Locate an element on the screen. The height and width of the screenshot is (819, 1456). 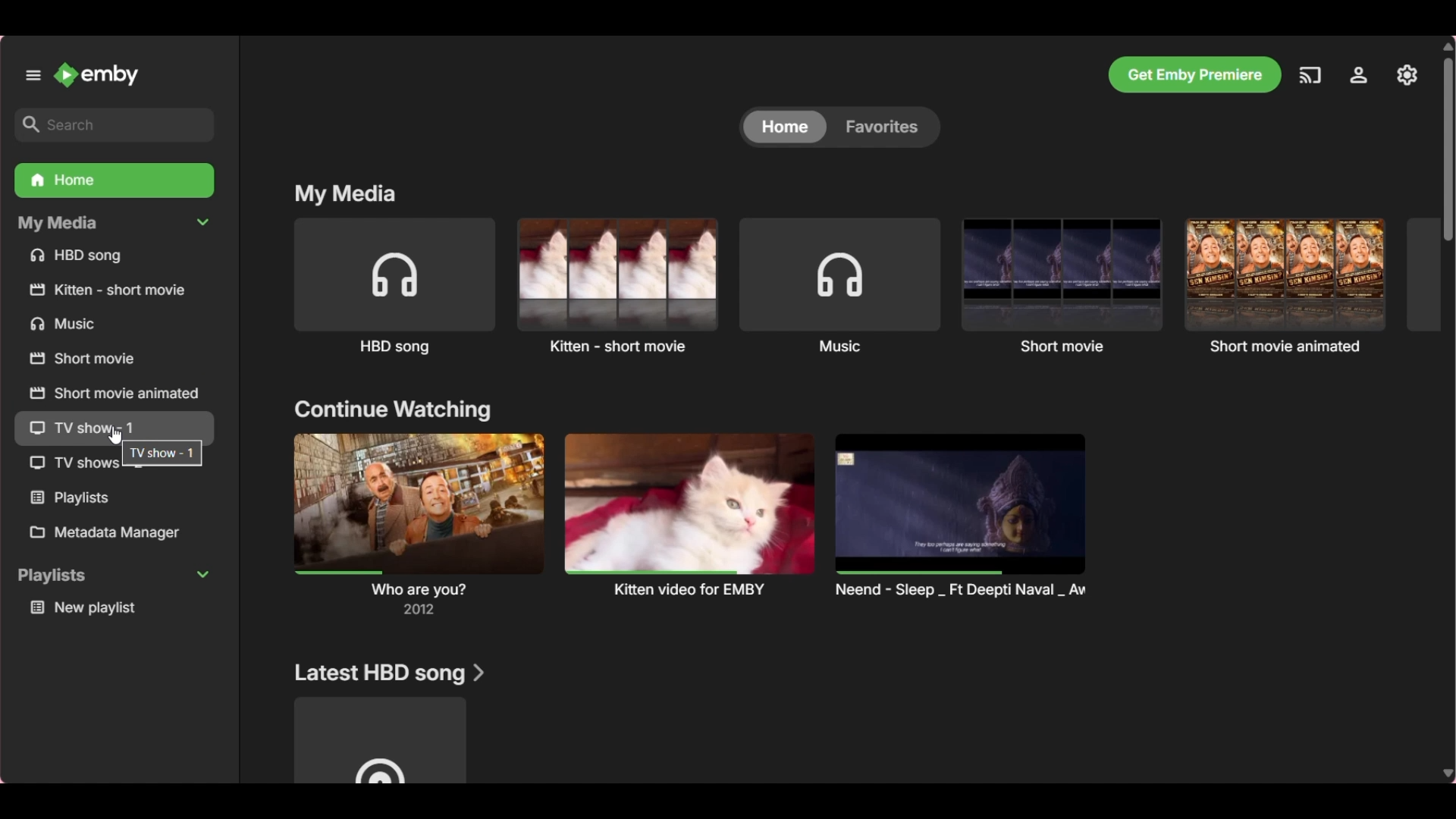
Settings is located at coordinates (1359, 75).